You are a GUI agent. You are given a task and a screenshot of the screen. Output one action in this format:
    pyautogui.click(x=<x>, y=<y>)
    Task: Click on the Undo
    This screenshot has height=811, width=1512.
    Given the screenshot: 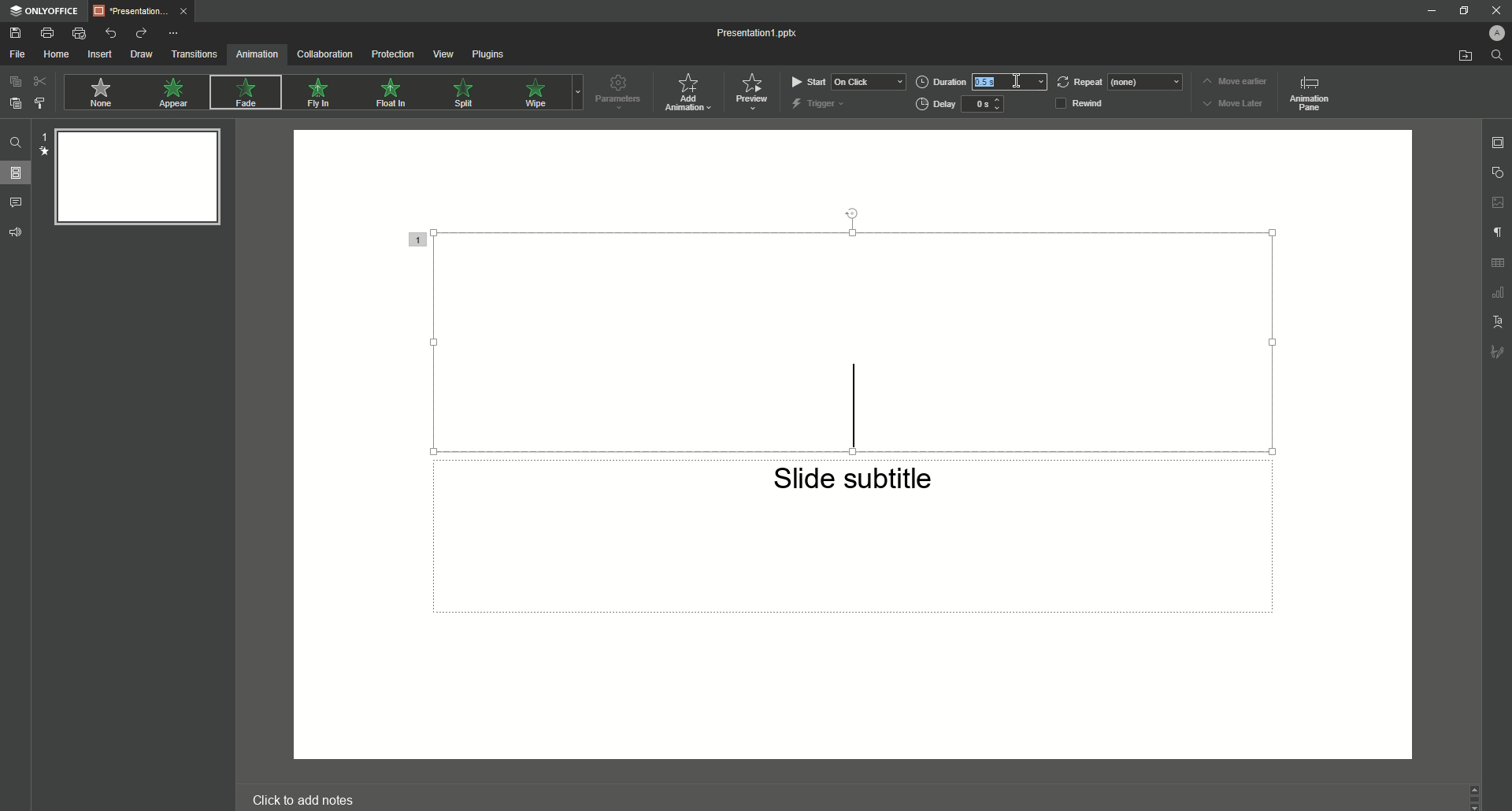 What is the action you would take?
    pyautogui.click(x=109, y=32)
    